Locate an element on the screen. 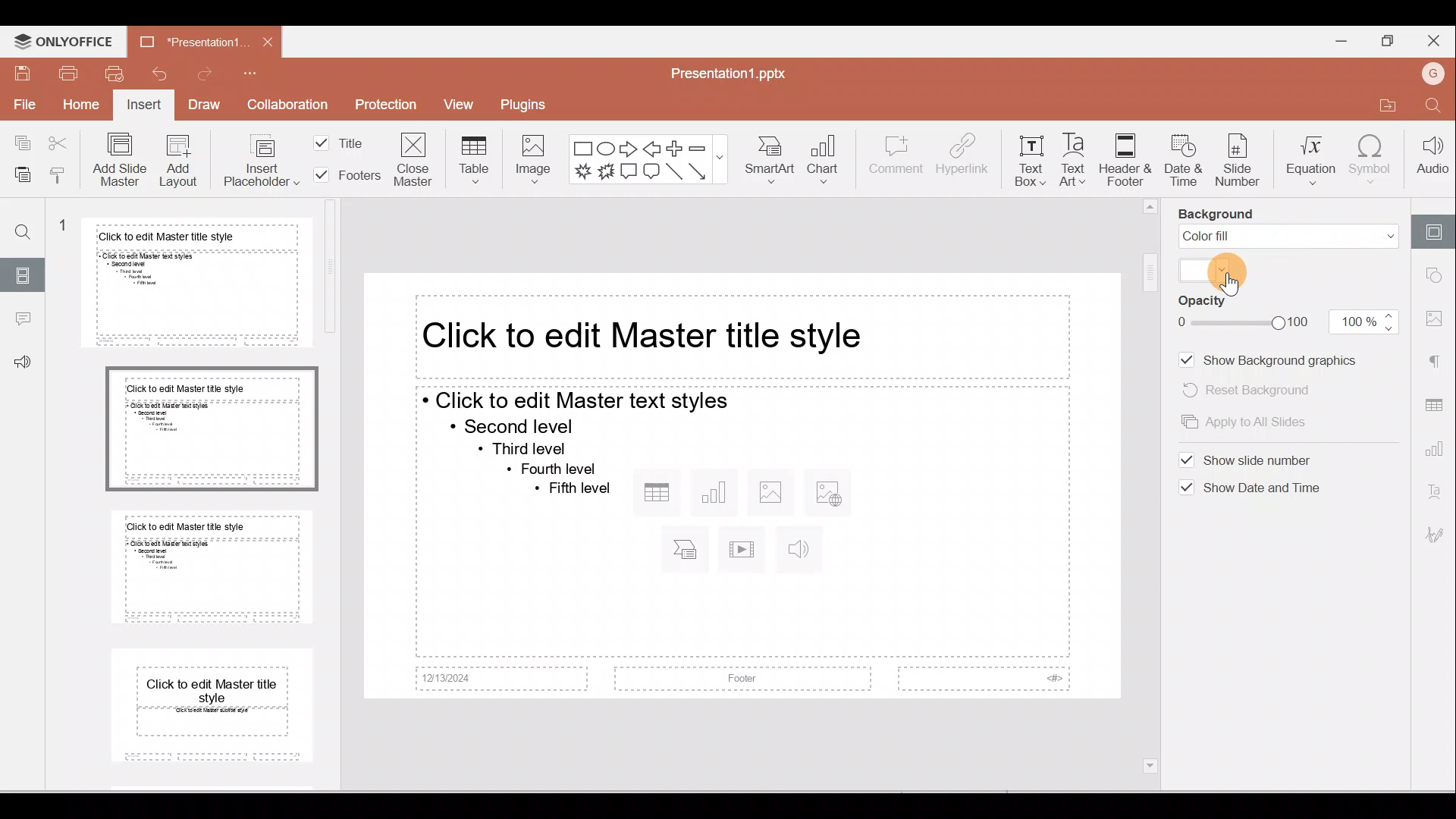  Show background images is located at coordinates (1272, 359).